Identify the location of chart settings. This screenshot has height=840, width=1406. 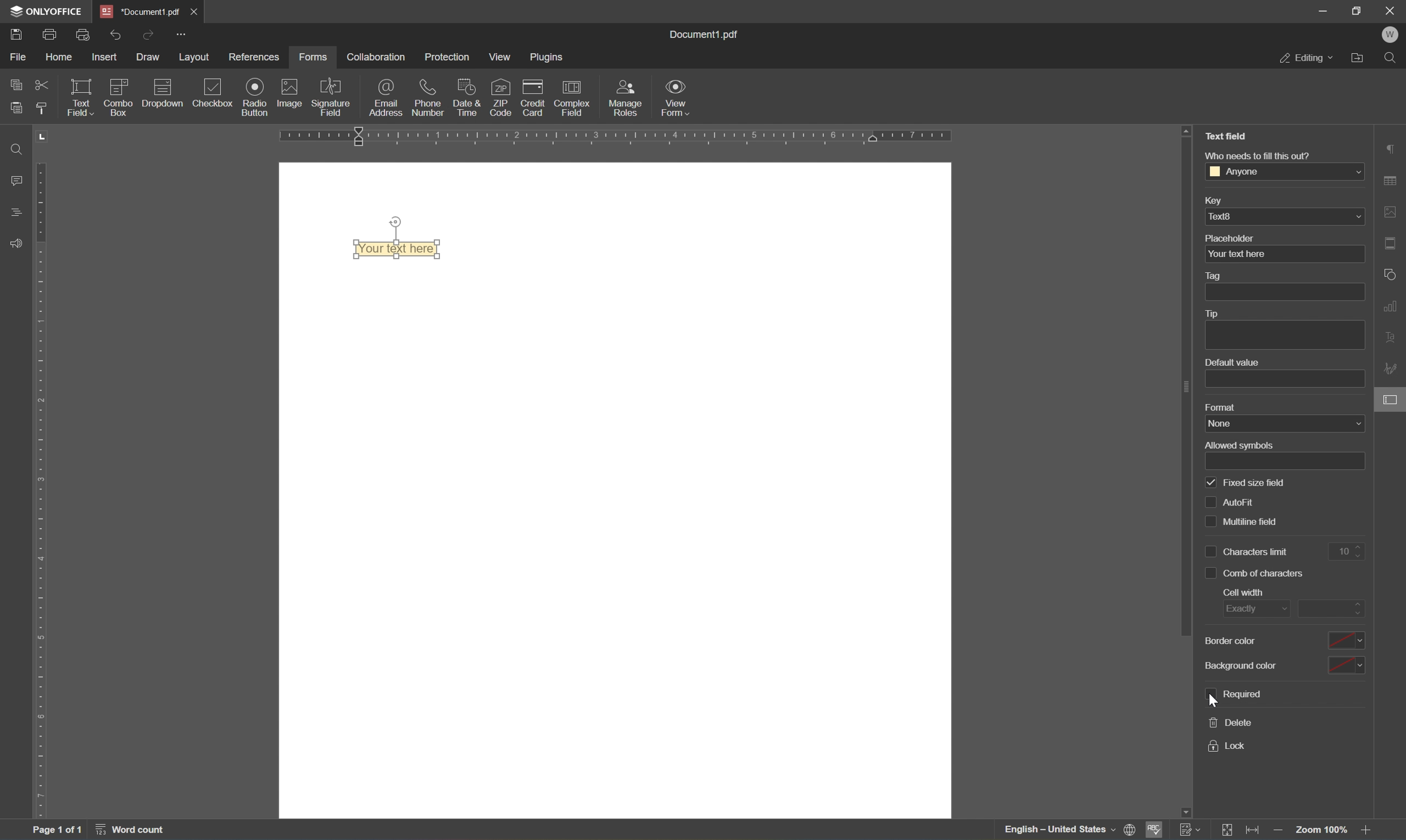
(1392, 306).